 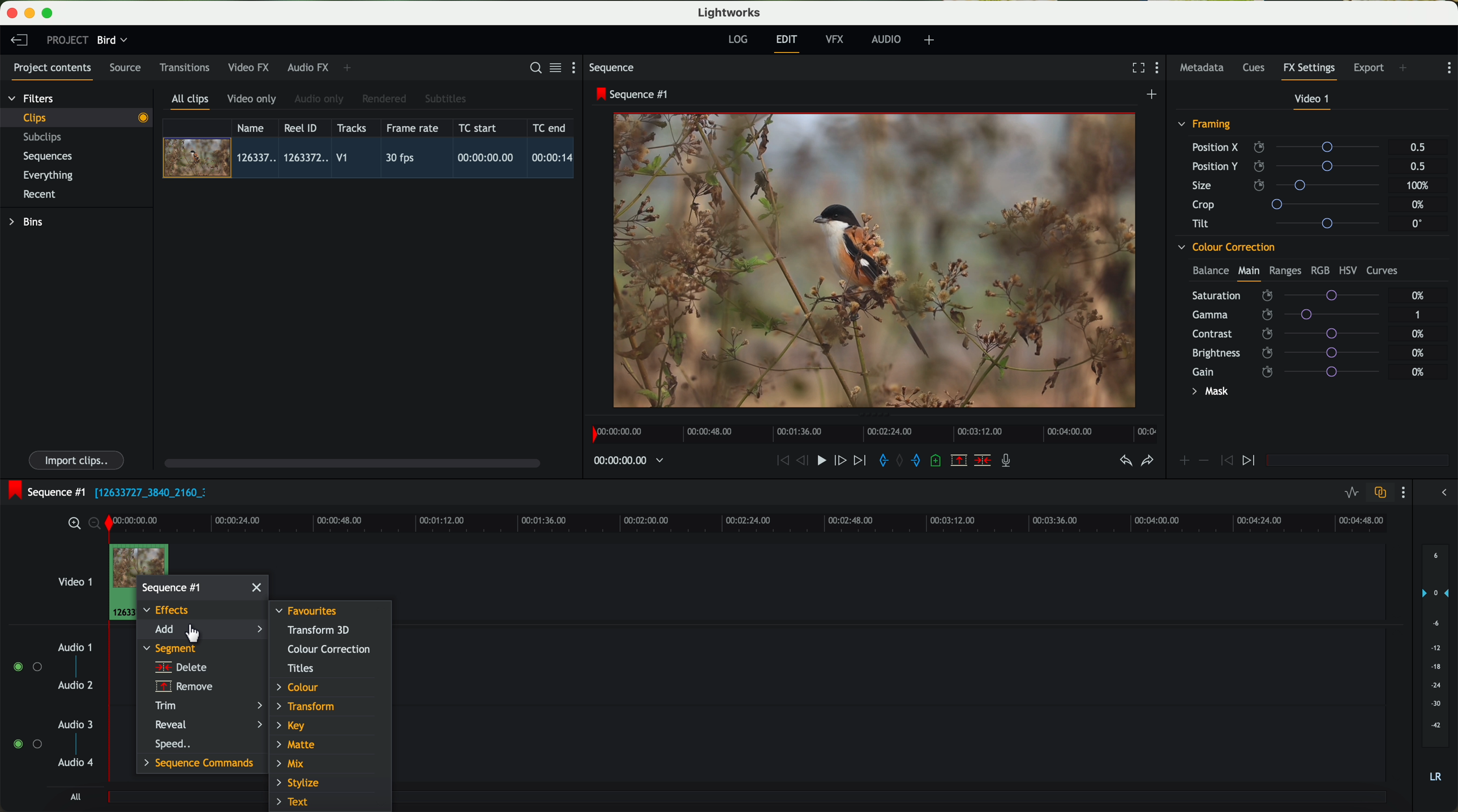 What do you see at coordinates (1292, 295) in the screenshot?
I see `saturation` at bounding box center [1292, 295].